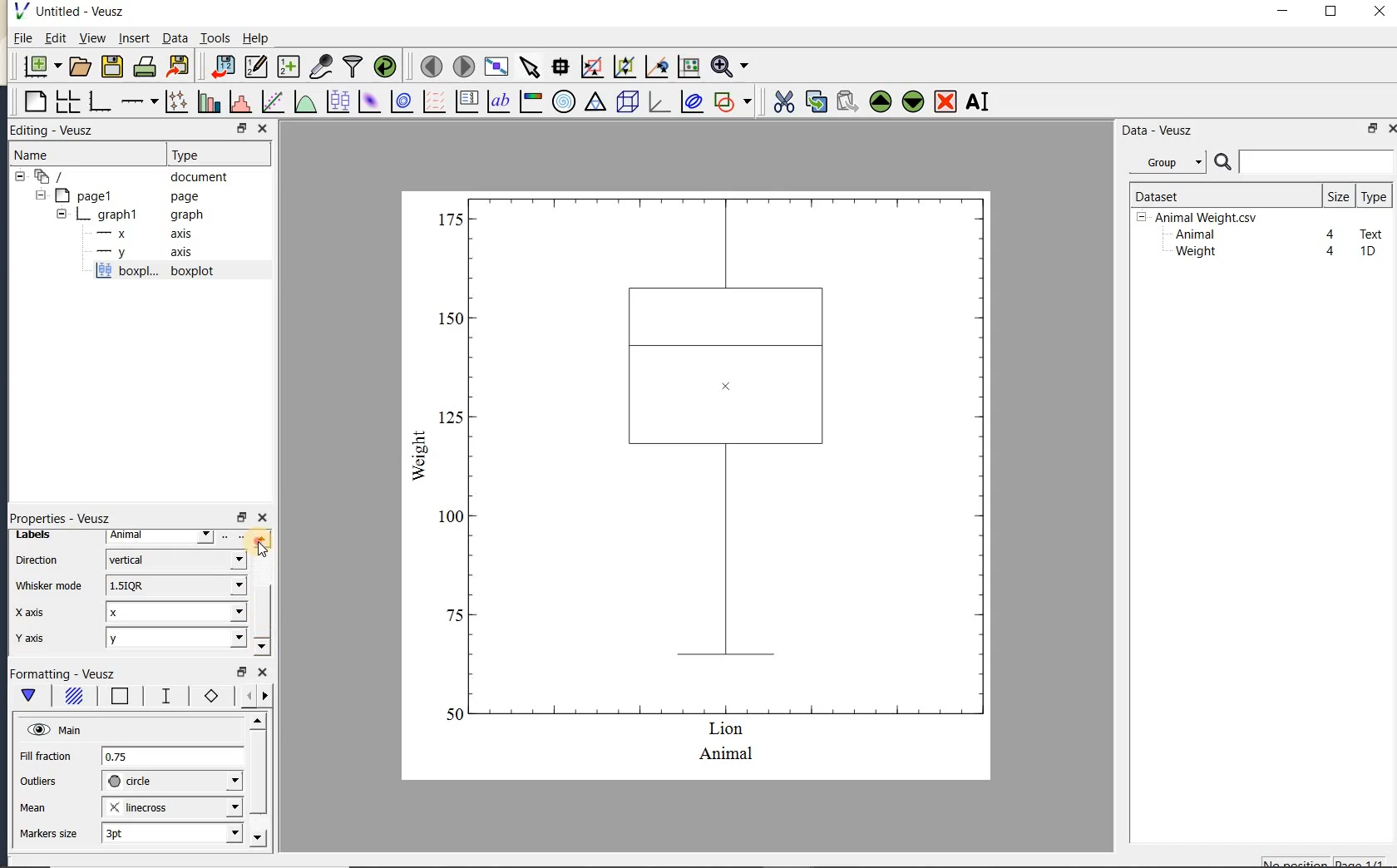 Image resolution: width=1397 pixels, height=868 pixels. Describe the element at coordinates (465, 101) in the screenshot. I see `plot key` at that location.